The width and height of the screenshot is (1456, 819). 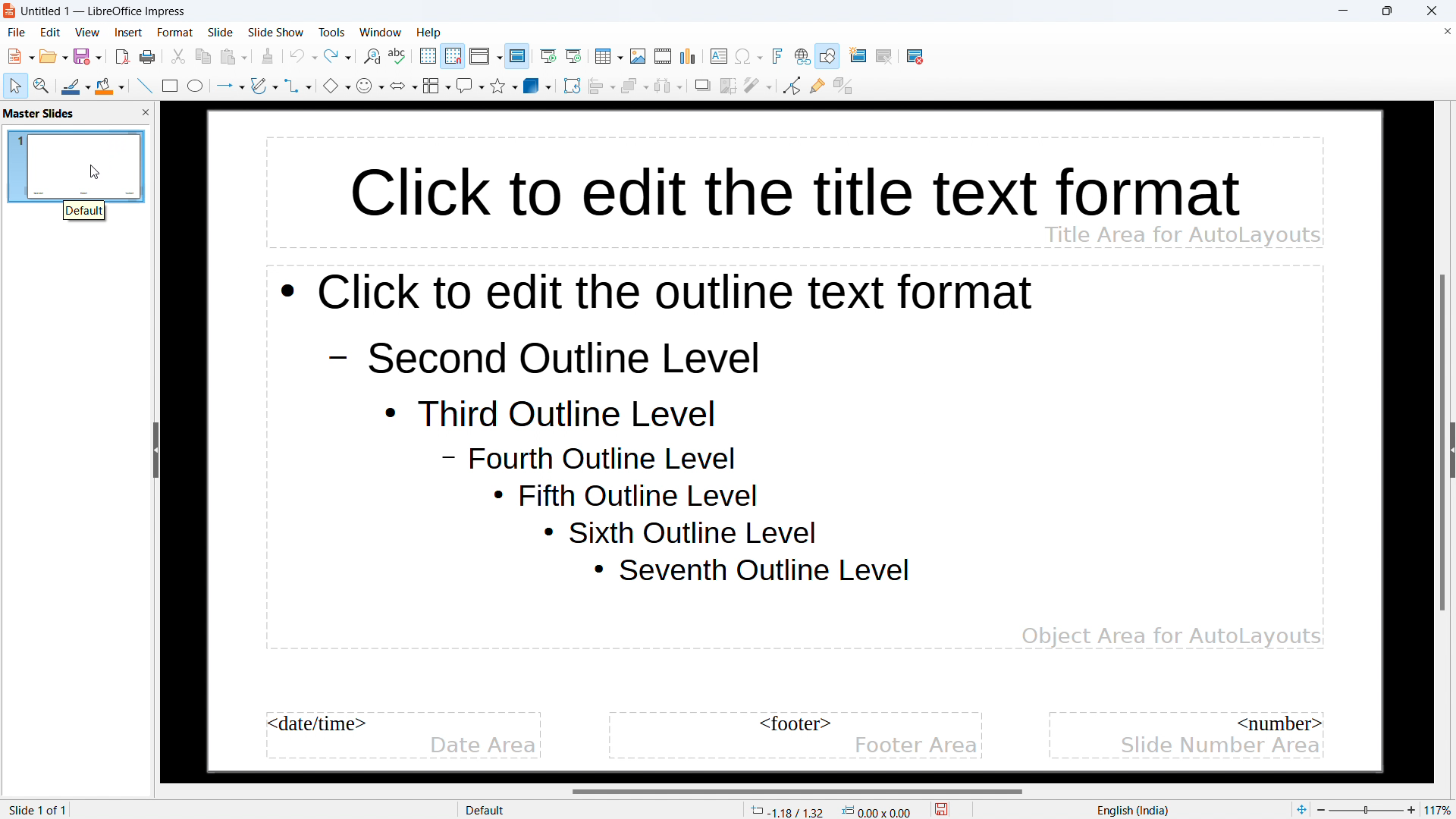 What do you see at coordinates (149, 58) in the screenshot?
I see `save` at bounding box center [149, 58].